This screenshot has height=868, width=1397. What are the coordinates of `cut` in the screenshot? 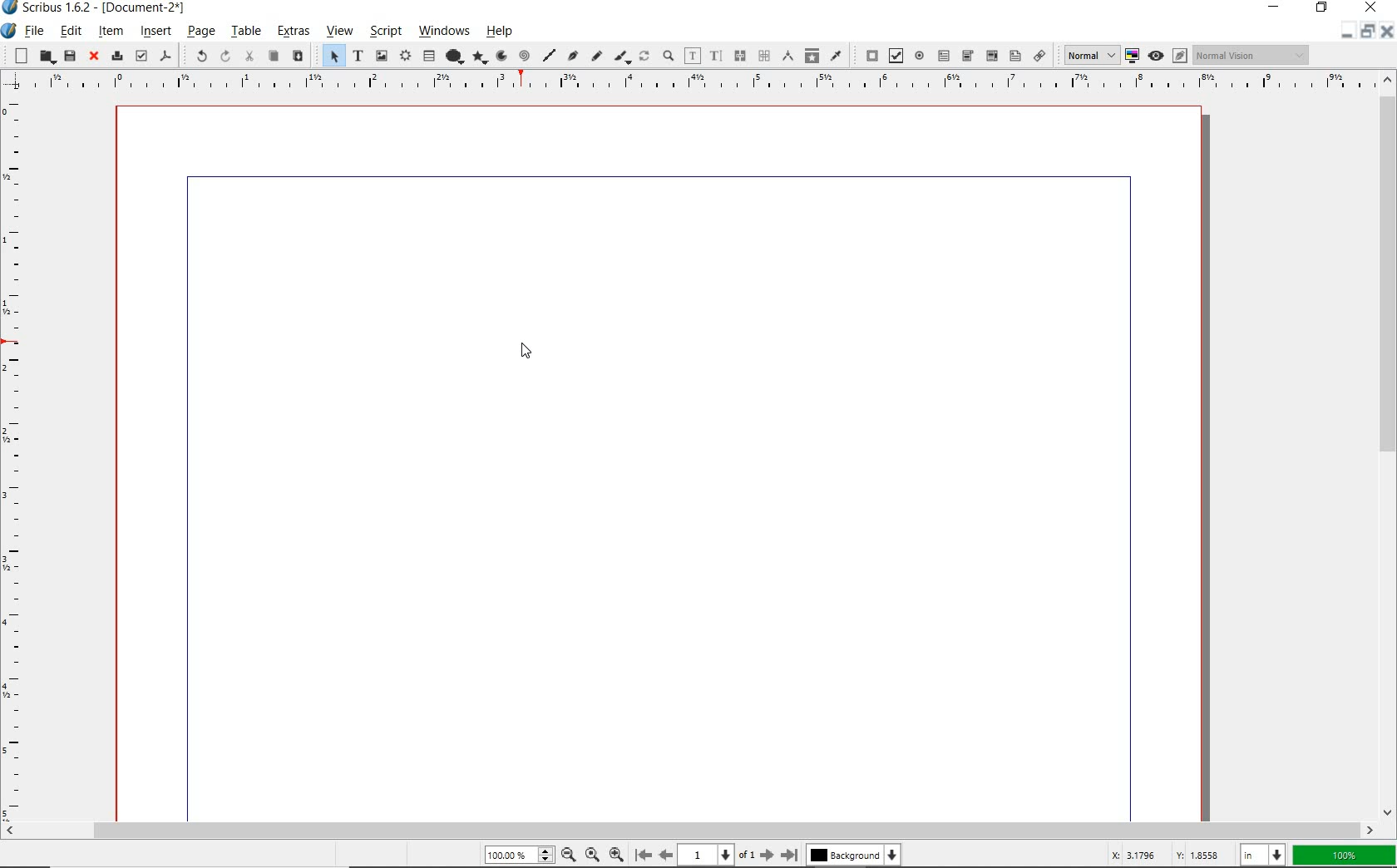 It's located at (251, 57).